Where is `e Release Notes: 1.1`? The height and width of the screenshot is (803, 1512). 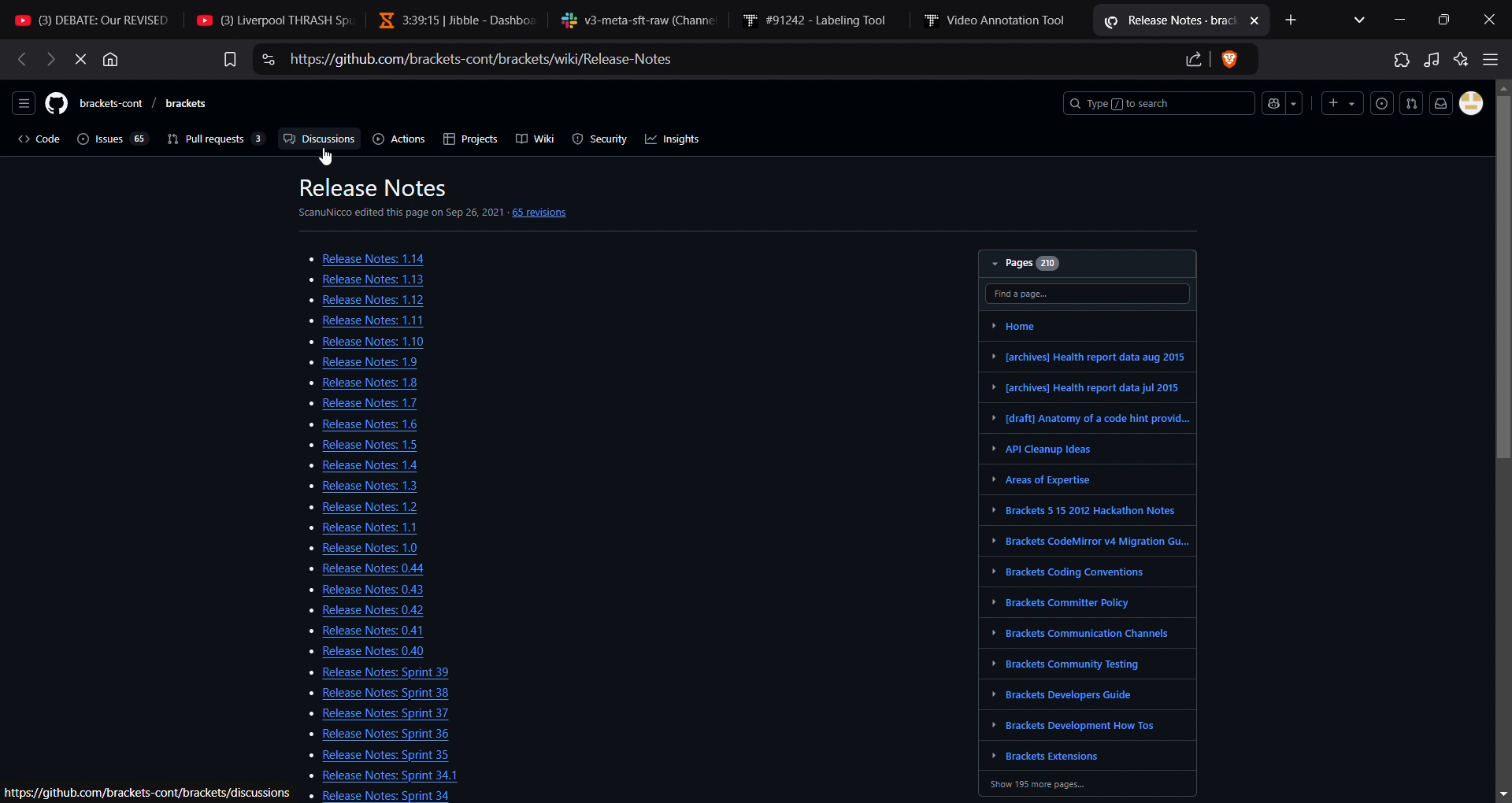
e Release Notes: 1.1 is located at coordinates (367, 526).